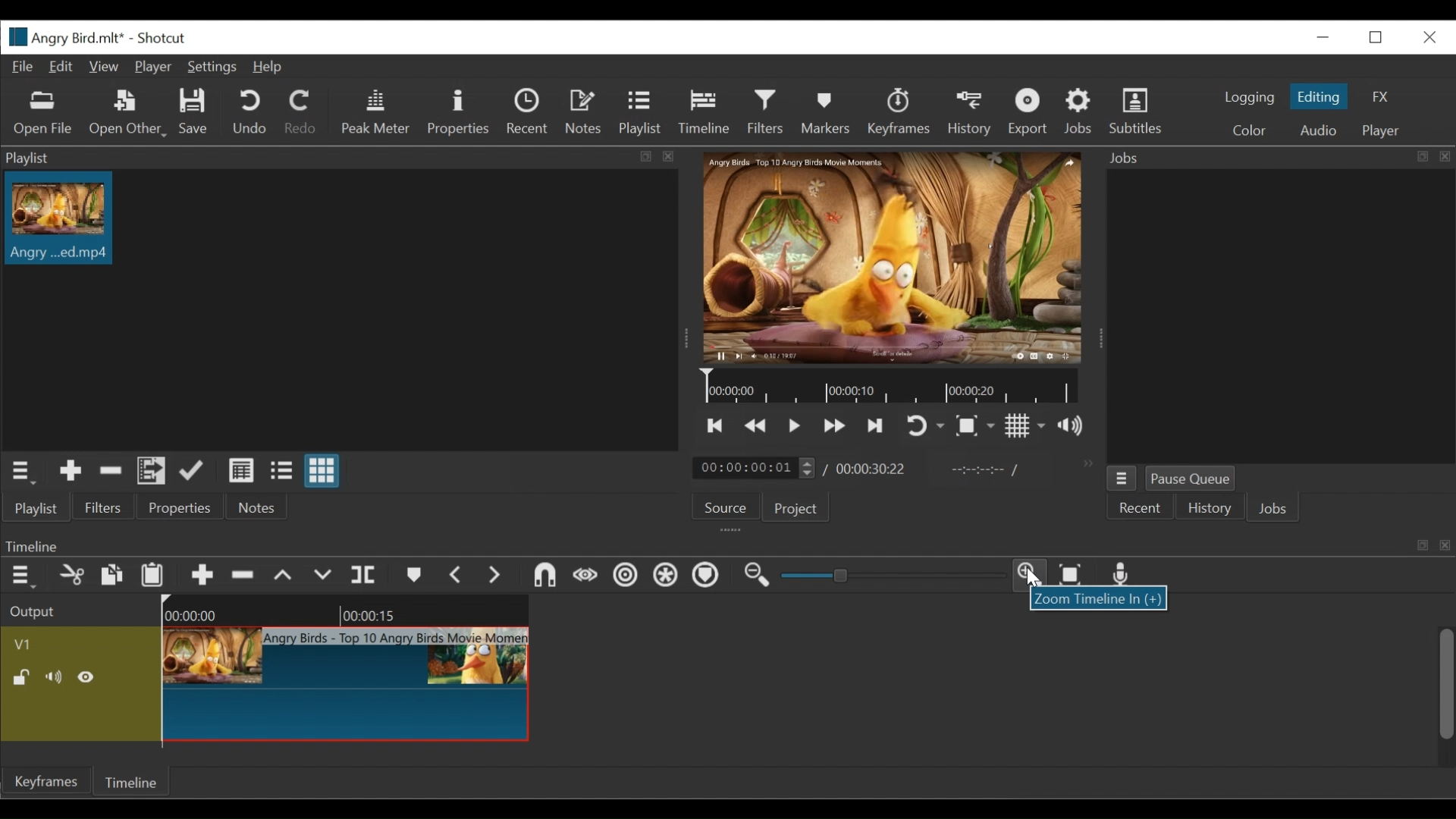 The width and height of the screenshot is (1456, 819). What do you see at coordinates (709, 576) in the screenshot?
I see `Ripple markers` at bounding box center [709, 576].